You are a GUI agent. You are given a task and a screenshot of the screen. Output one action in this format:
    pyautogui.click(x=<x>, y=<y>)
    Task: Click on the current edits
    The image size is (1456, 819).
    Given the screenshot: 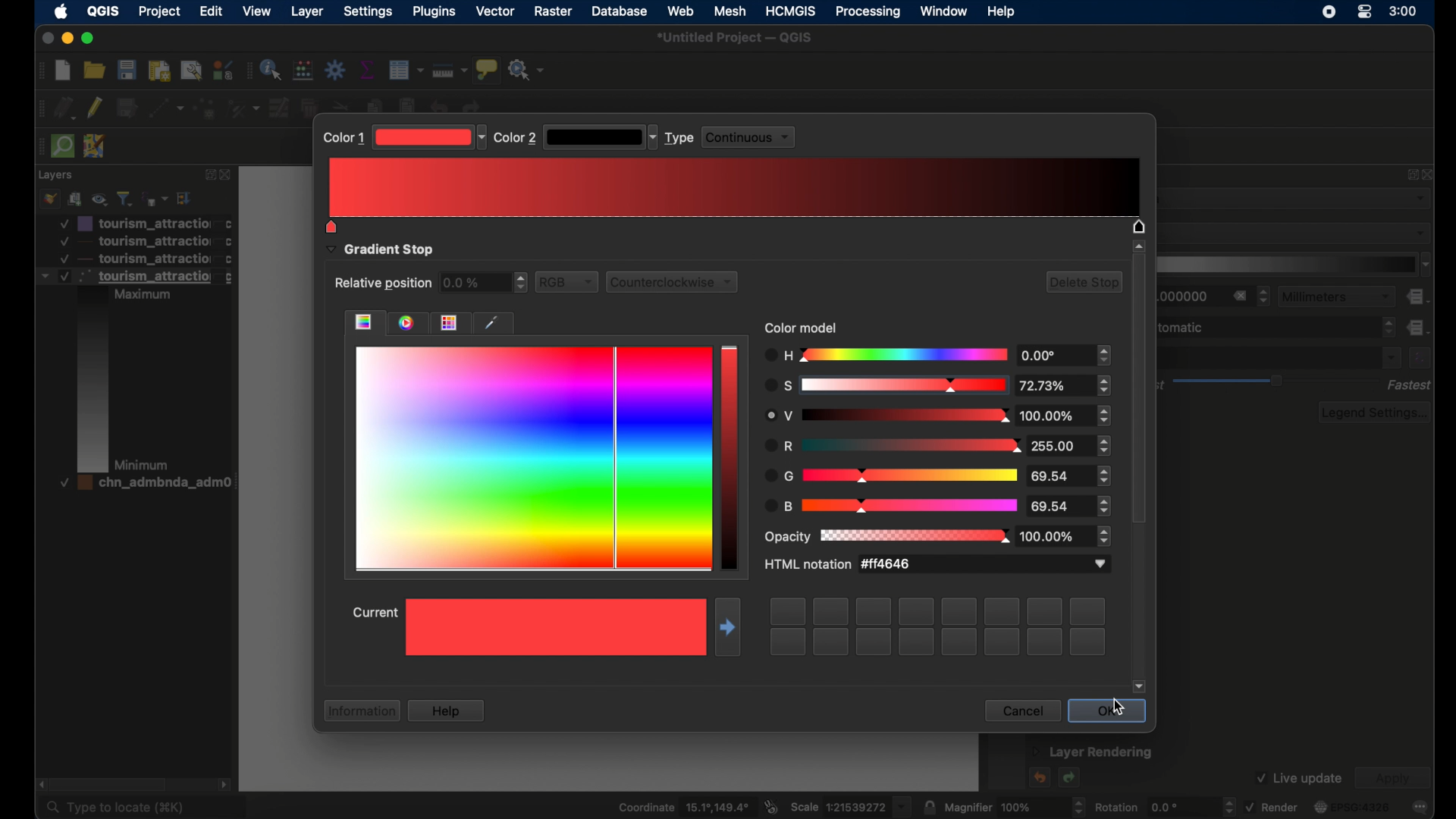 What is the action you would take?
    pyautogui.click(x=65, y=108)
    